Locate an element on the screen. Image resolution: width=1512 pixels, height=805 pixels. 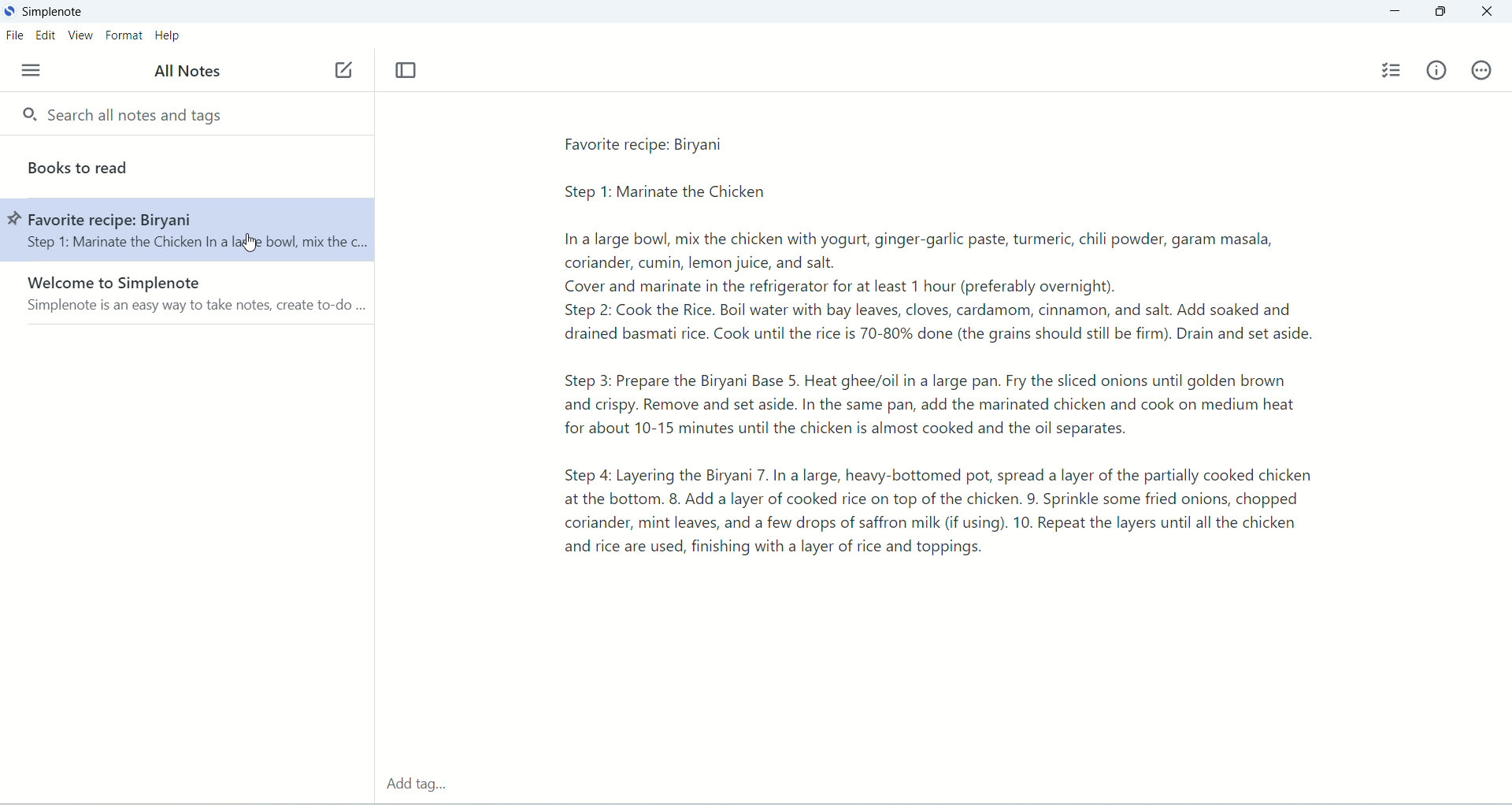
close is located at coordinates (1490, 9).